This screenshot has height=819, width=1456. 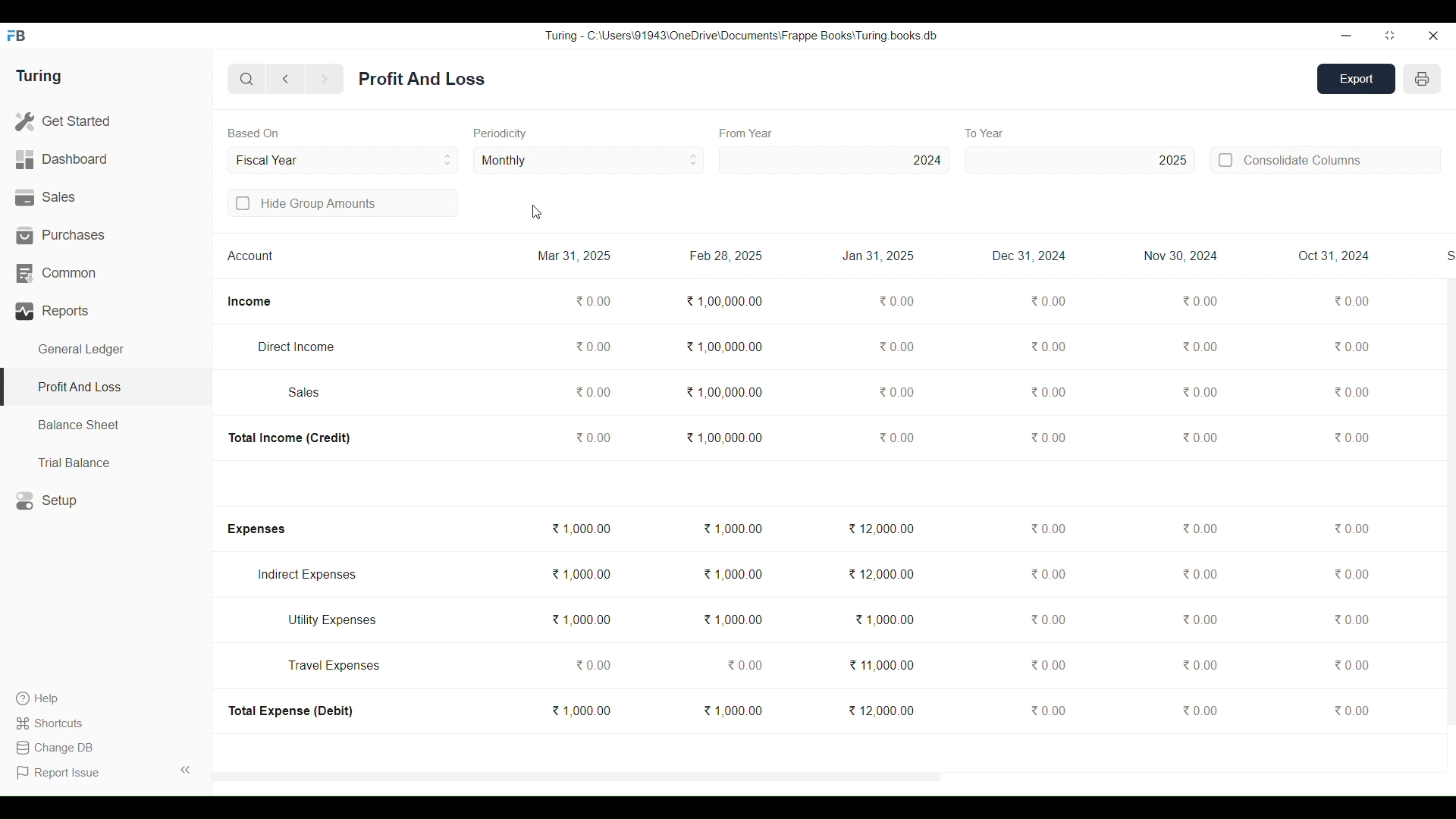 I want to click on 0.00, so click(x=1199, y=529).